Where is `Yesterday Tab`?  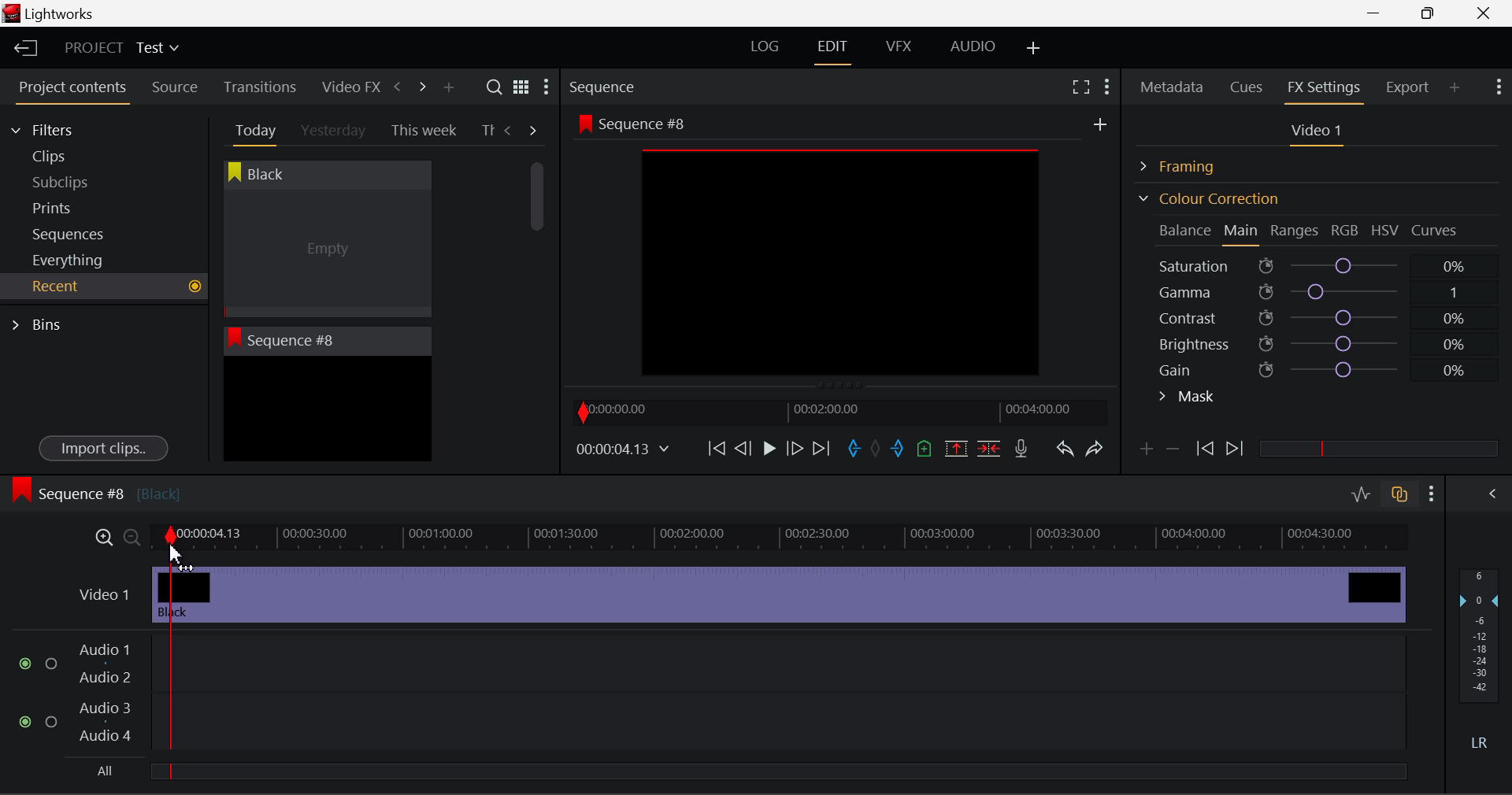 Yesterday Tab is located at coordinates (335, 131).